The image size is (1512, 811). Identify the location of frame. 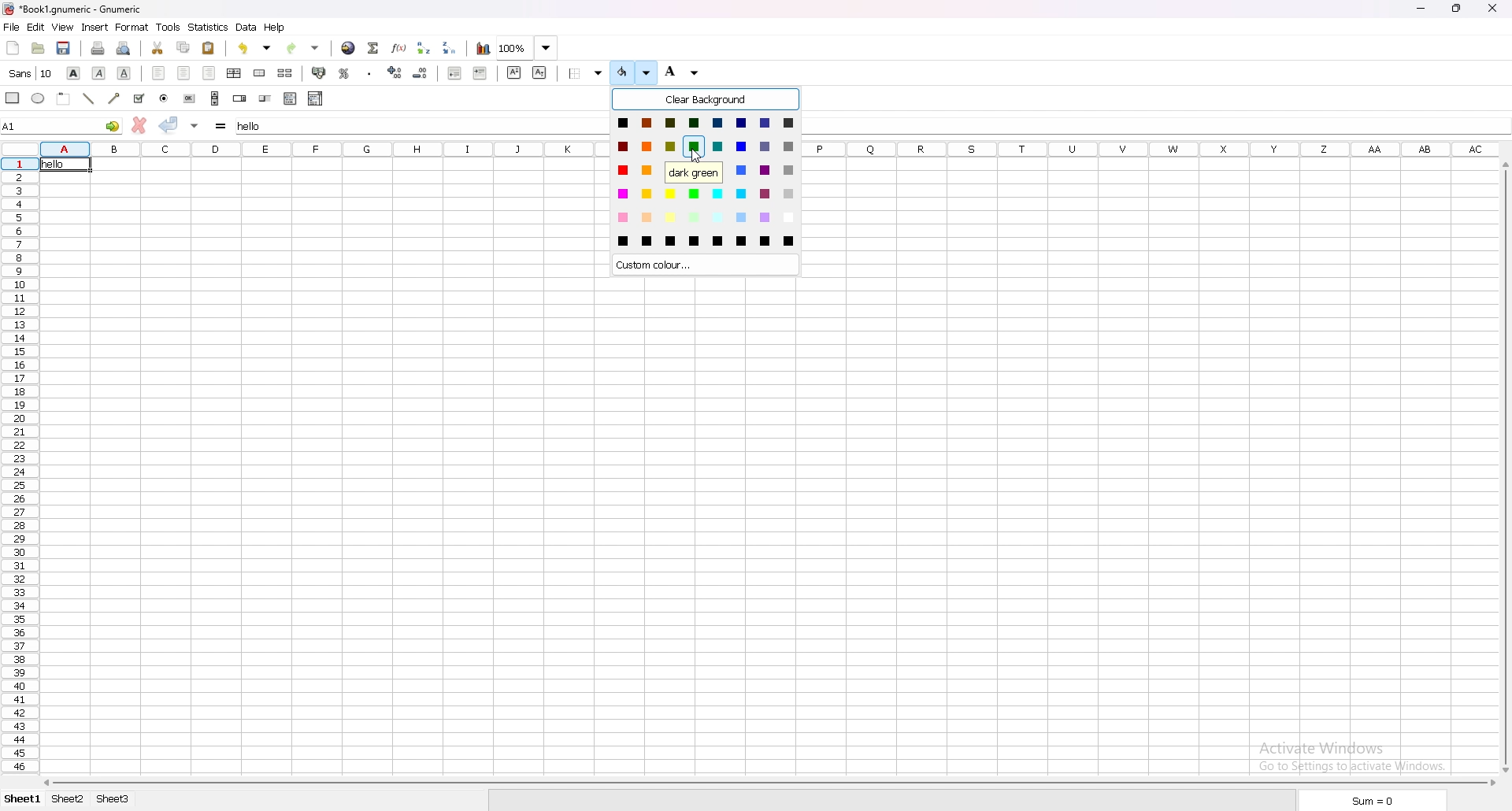
(64, 98).